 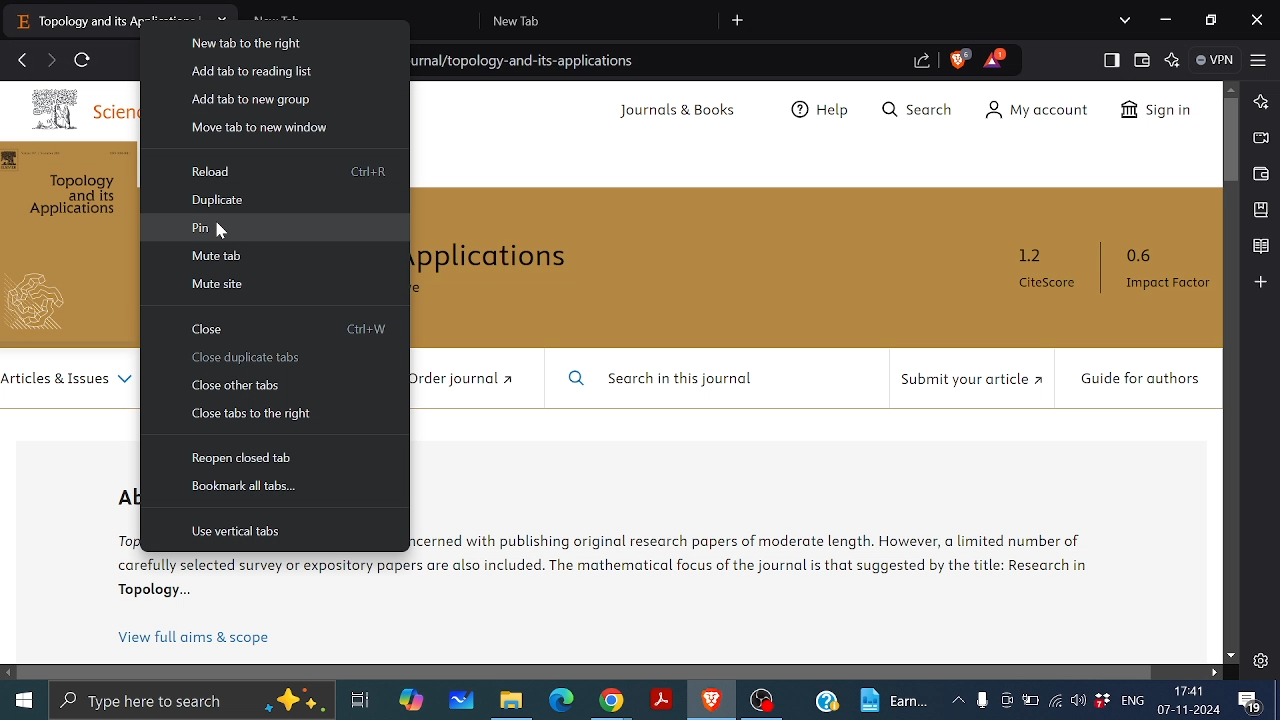 What do you see at coordinates (515, 701) in the screenshot?
I see `Files` at bounding box center [515, 701].